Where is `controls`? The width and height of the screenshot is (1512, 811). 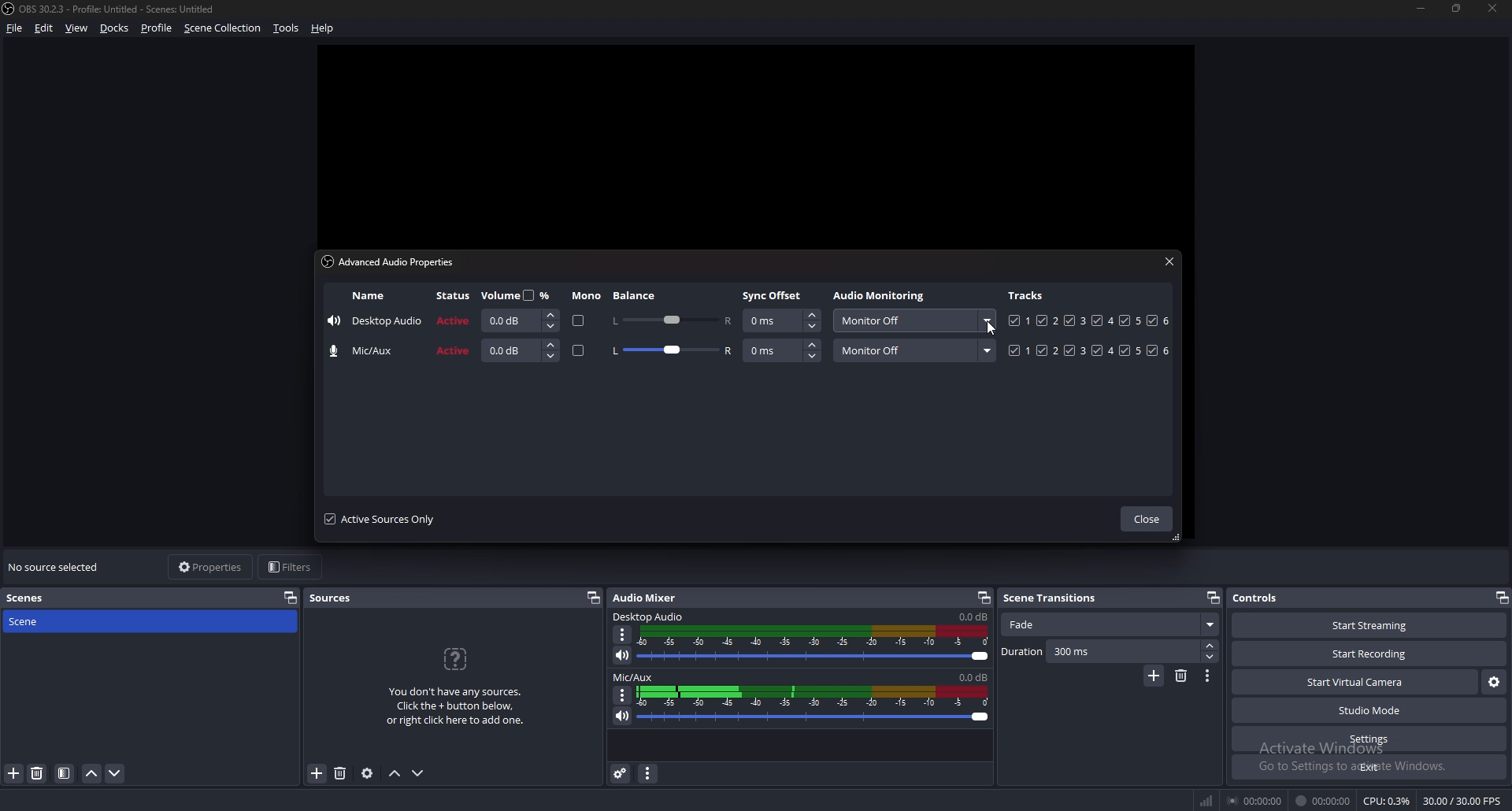 controls is located at coordinates (1266, 598).